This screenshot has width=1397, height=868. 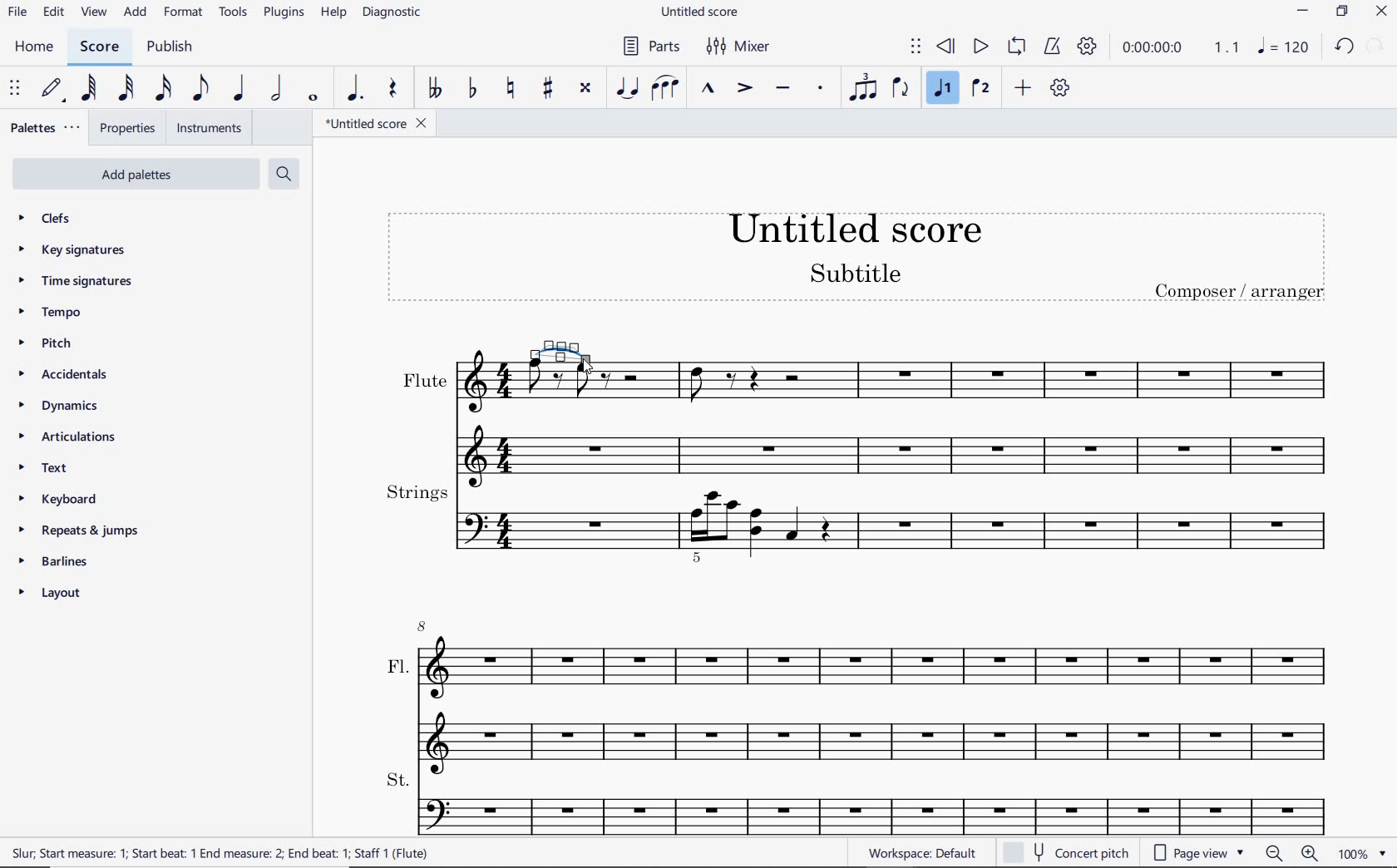 I want to click on 32ND NOTE, so click(x=123, y=89).